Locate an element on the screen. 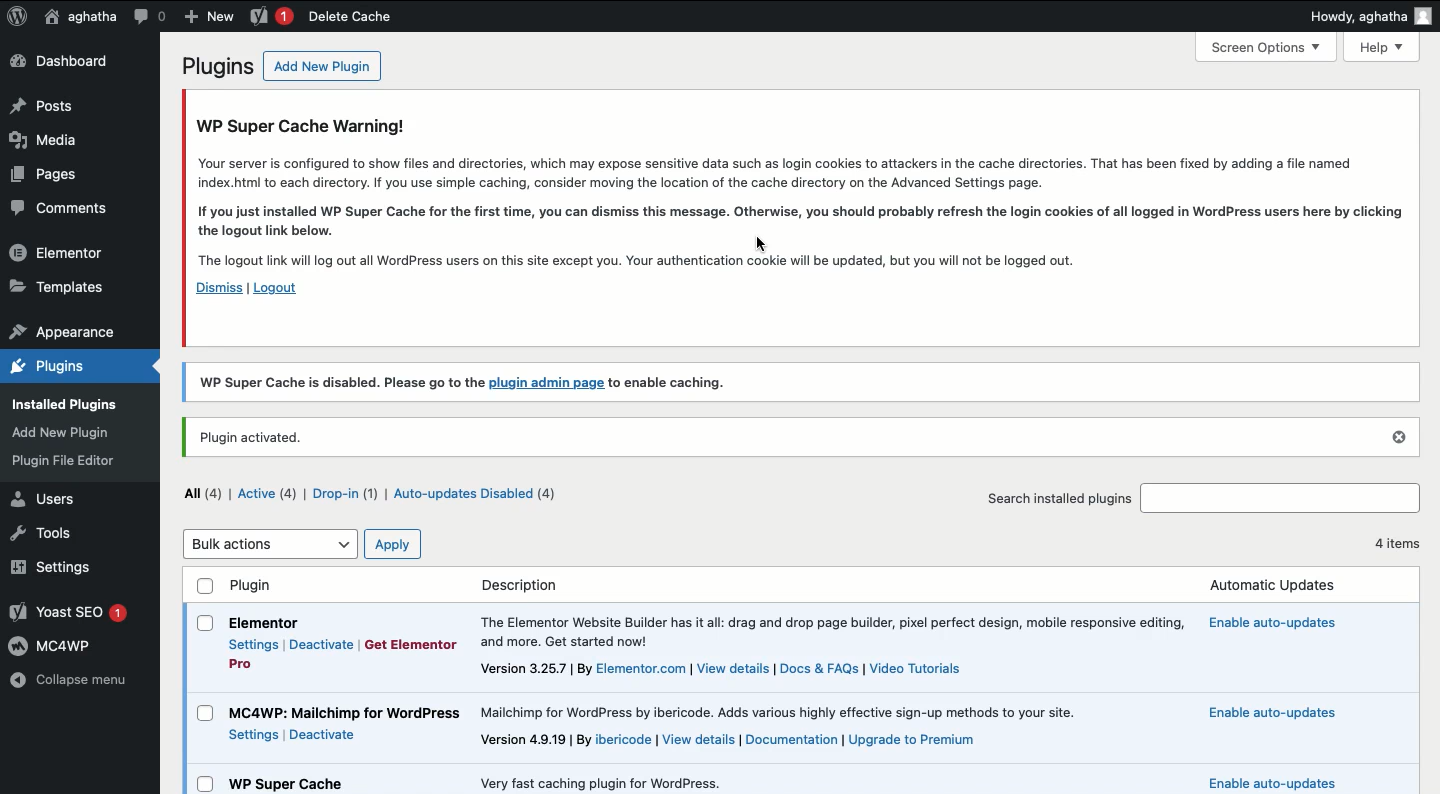 The width and height of the screenshot is (1440, 794). Active is located at coordinates (267, 494).